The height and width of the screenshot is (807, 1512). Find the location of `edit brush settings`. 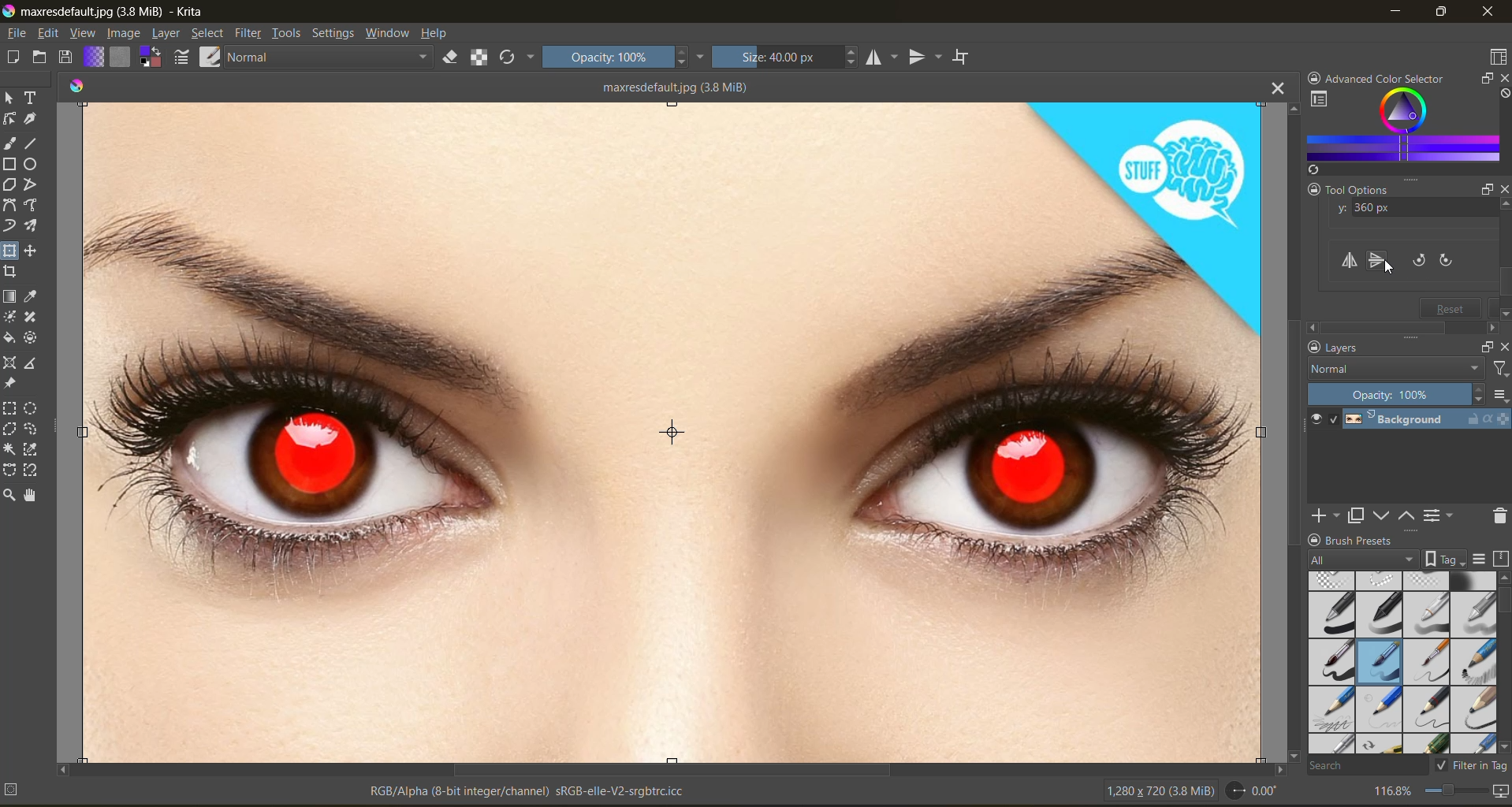

edit brush settings is located at coordinates (185, 59).